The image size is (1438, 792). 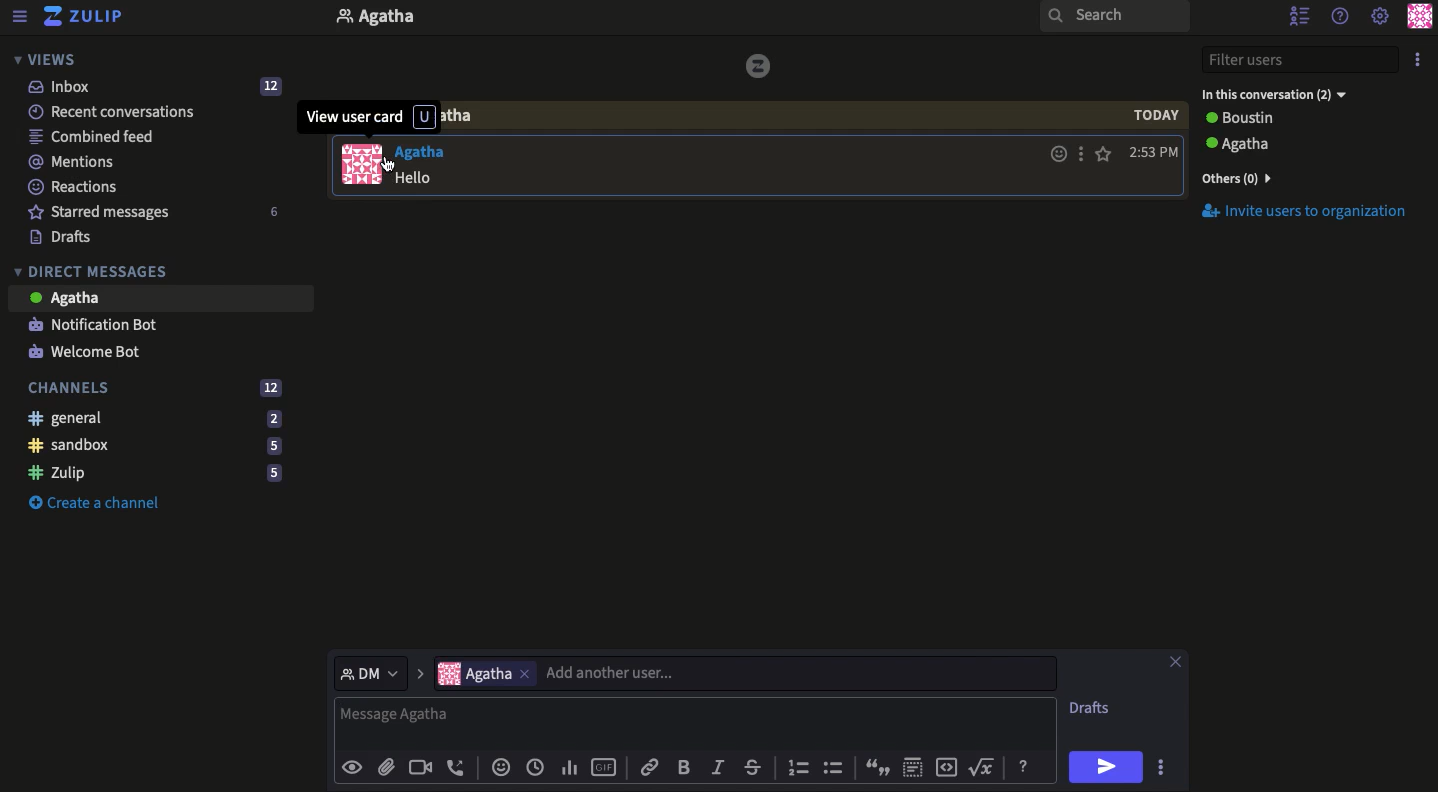 I want to click on View user card, so click(x=361, y=164).